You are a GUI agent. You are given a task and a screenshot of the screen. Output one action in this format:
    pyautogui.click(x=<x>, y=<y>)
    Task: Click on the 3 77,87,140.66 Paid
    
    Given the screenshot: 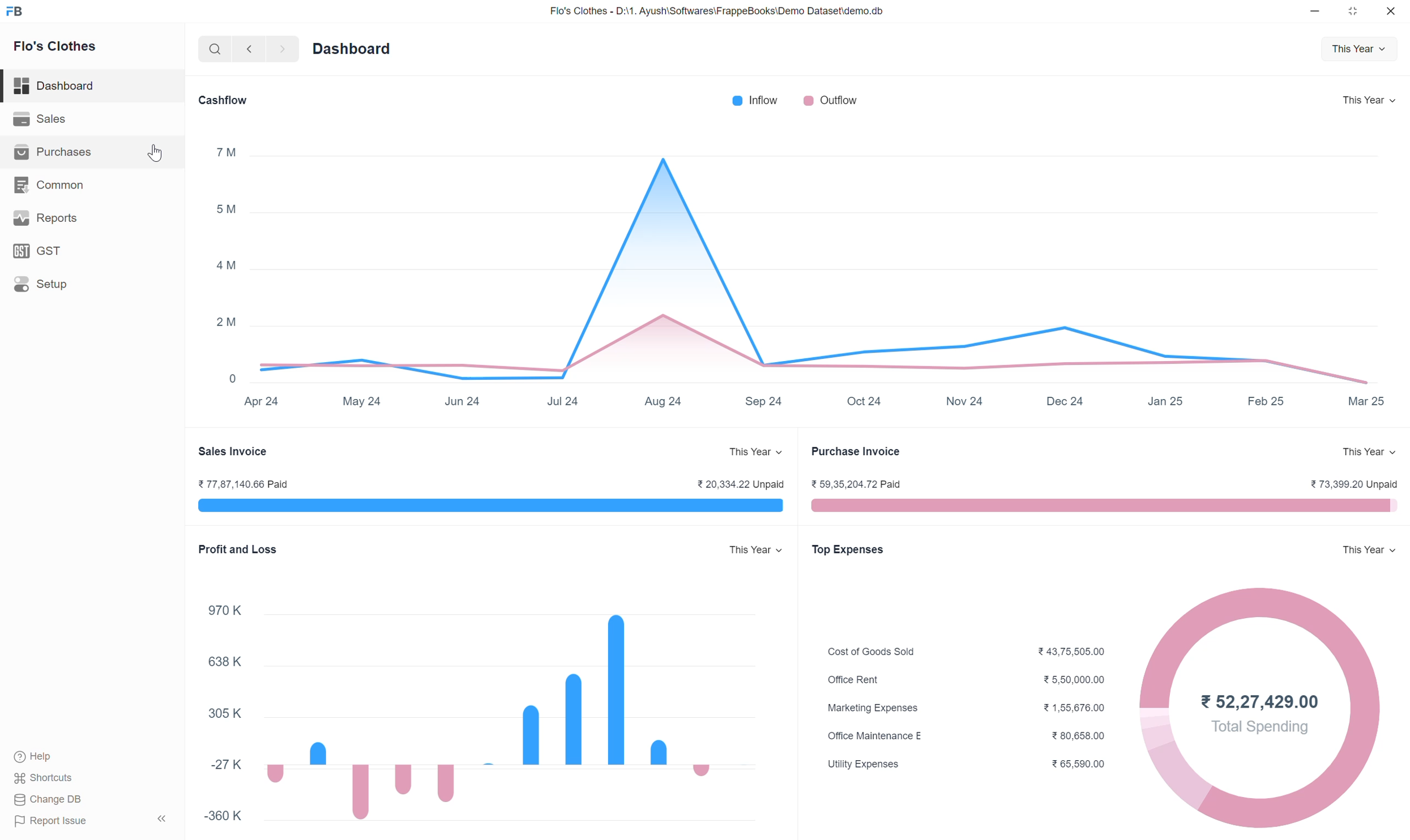 What is the action you would take?
    pyautogui.click(x=241, y=482)
    